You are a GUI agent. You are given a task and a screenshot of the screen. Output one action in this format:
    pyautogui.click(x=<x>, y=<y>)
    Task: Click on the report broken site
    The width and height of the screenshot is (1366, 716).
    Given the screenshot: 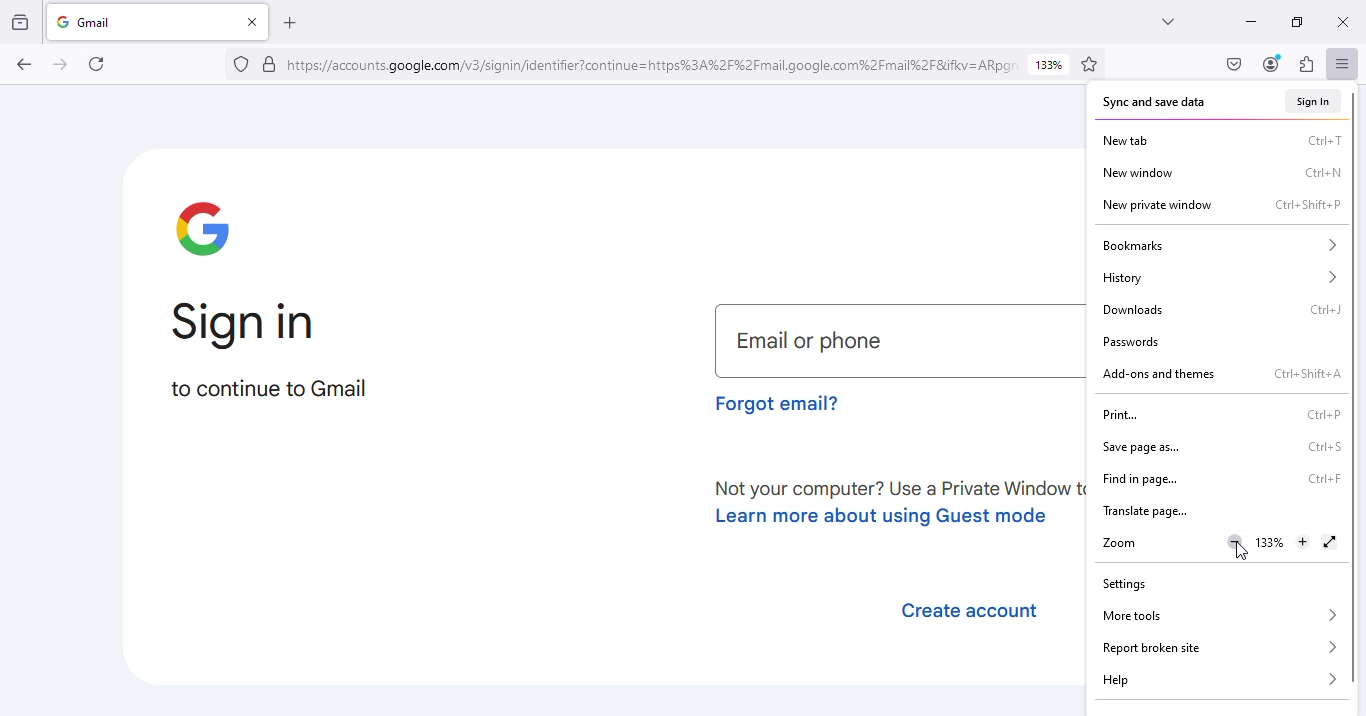 What is the action you would take?
    pyautogui.click(x=1219, y=647)
    